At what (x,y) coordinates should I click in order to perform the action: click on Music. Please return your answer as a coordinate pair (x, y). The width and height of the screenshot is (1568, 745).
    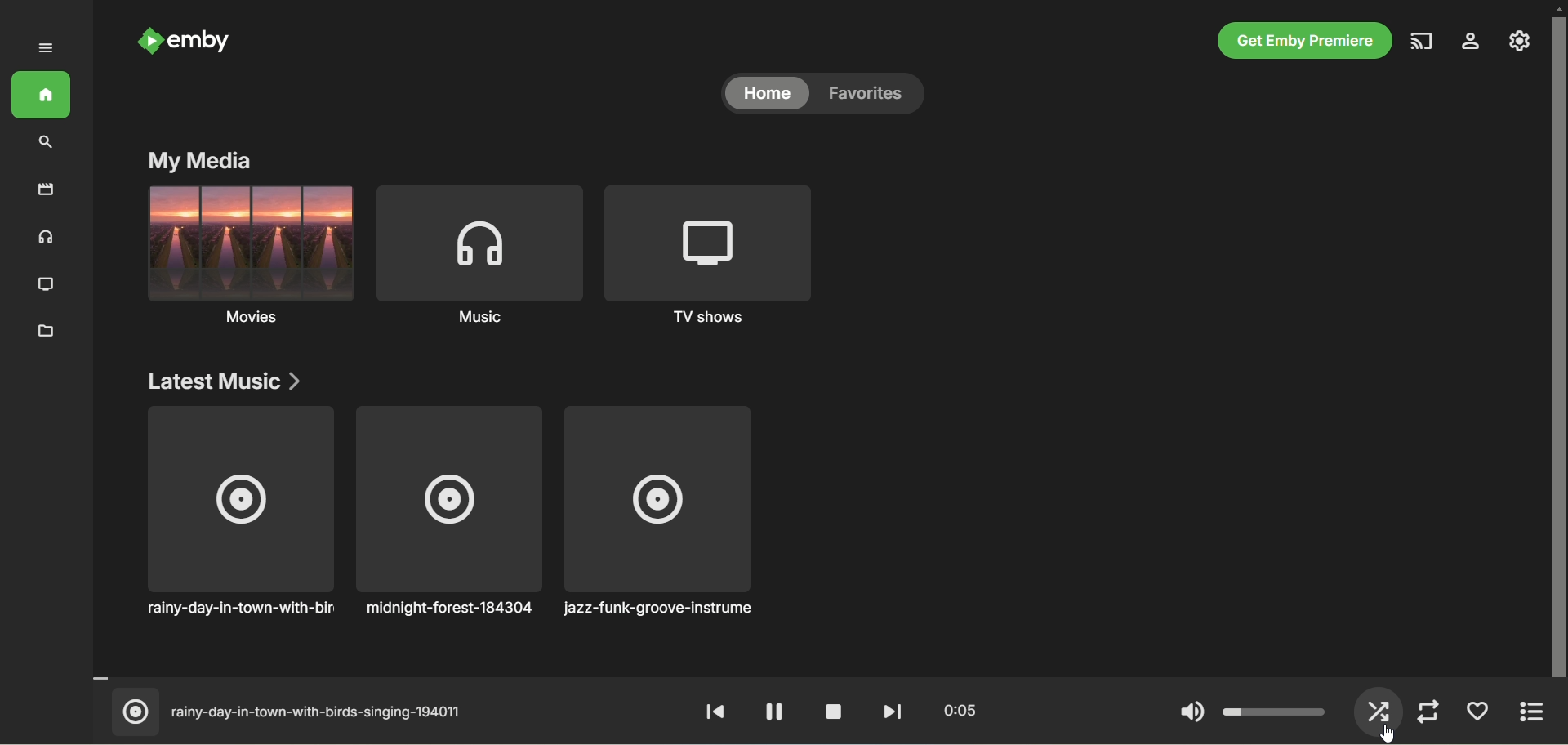
    Looking at the image, I should click on (479, 254).